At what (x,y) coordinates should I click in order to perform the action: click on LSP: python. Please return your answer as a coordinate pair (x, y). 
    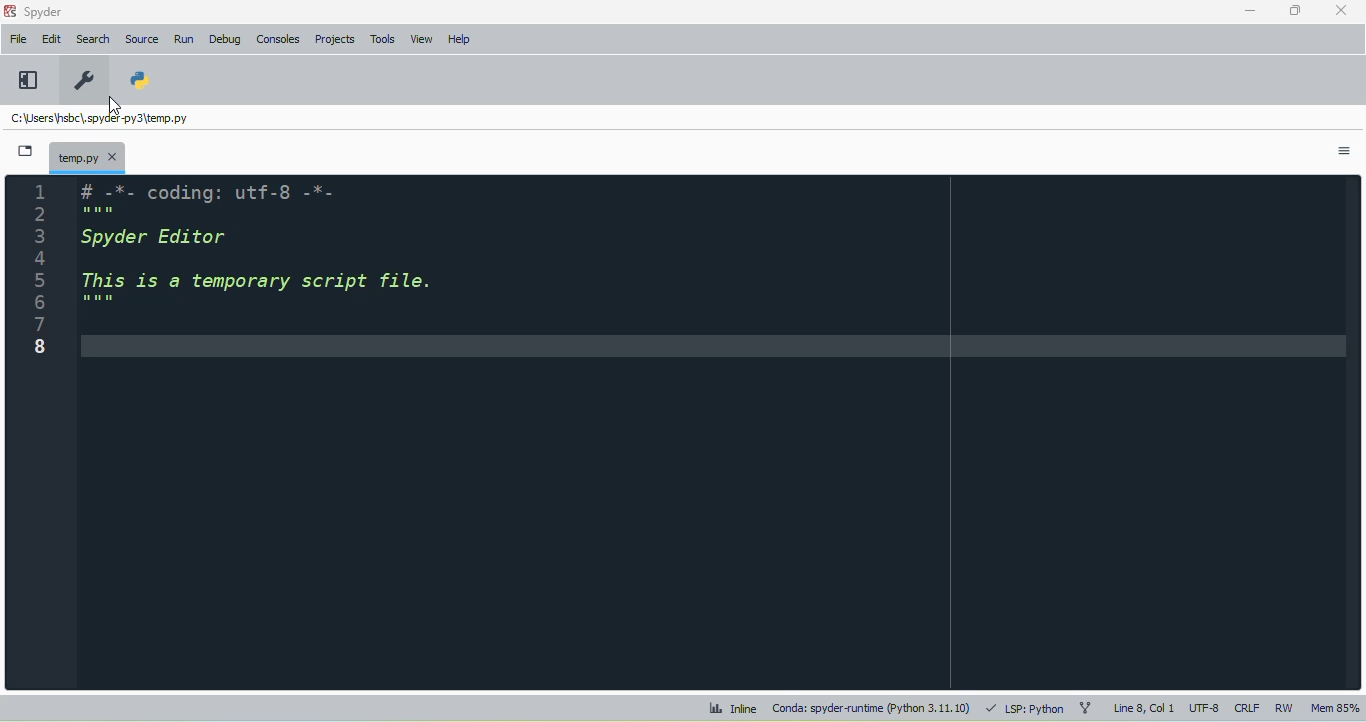
    Looking at the image, I should click on (1026, 708).